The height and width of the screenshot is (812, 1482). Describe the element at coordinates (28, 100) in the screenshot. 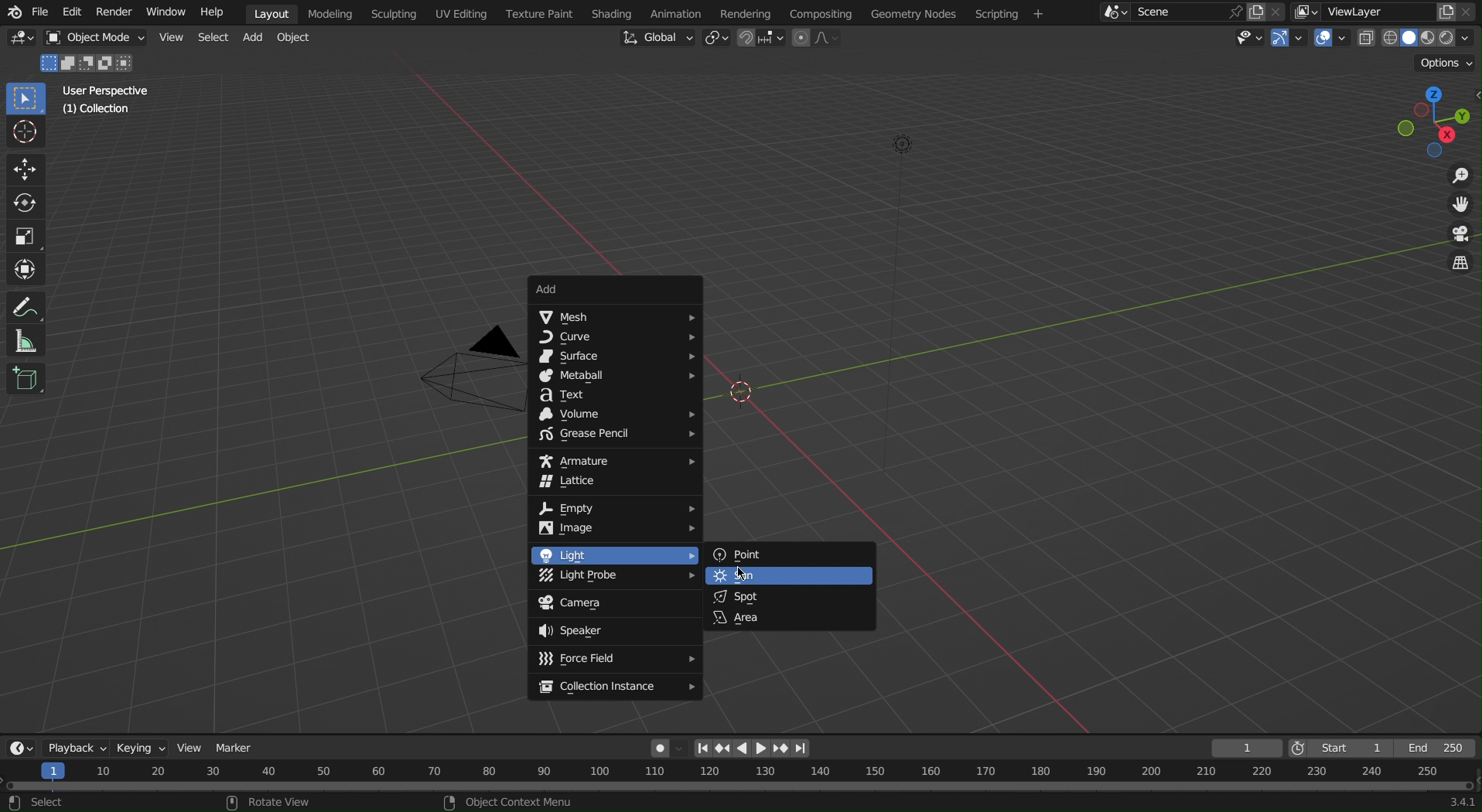

I see `Select Box` at that location.